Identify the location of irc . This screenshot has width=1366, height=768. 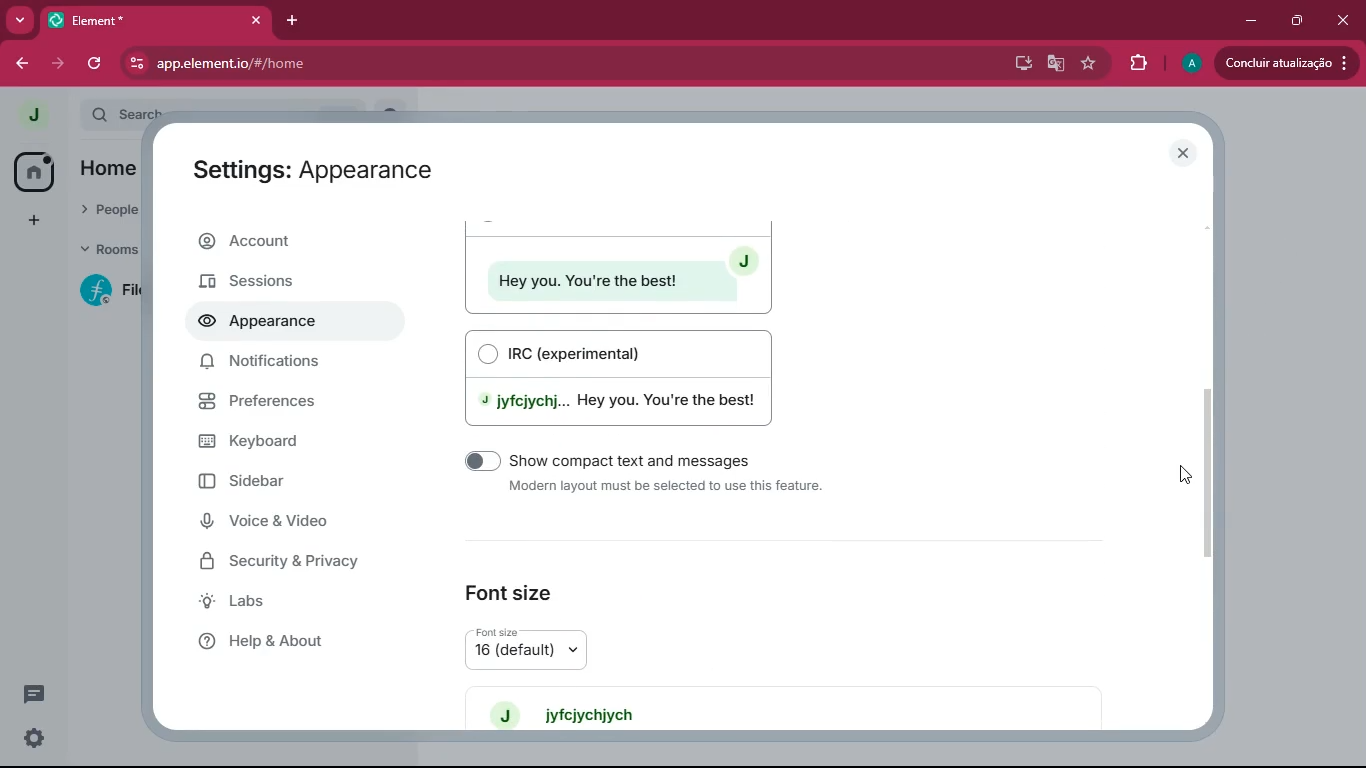
(628, 377).